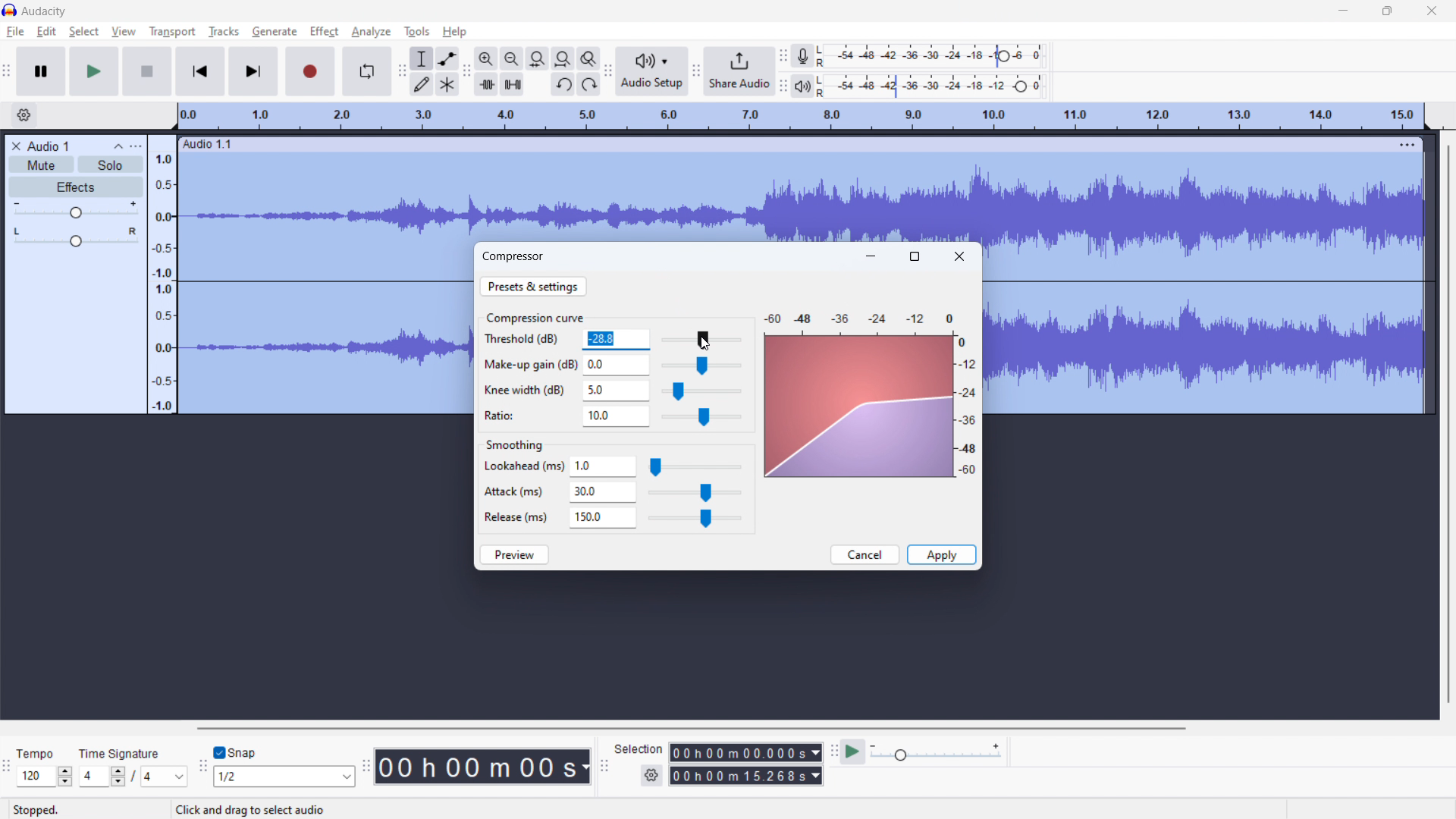 This screenshot has height=819, width=1456. I want to click on 5.0, so click(616, 391).